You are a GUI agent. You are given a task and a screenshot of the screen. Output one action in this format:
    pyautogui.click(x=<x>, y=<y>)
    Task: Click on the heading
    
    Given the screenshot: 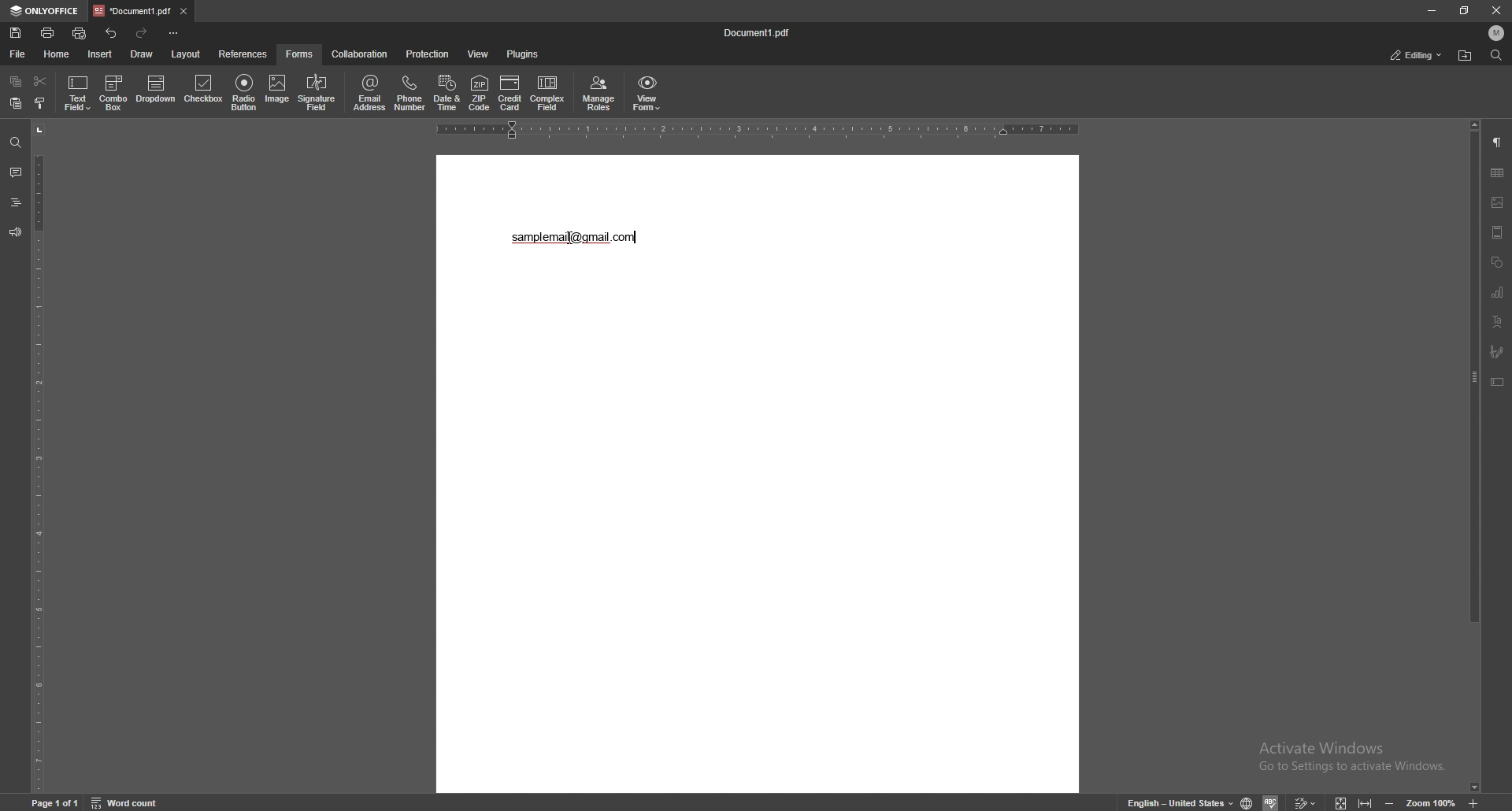 What is the action you would take?
    pyautogui.click(x=15, y=202)
    